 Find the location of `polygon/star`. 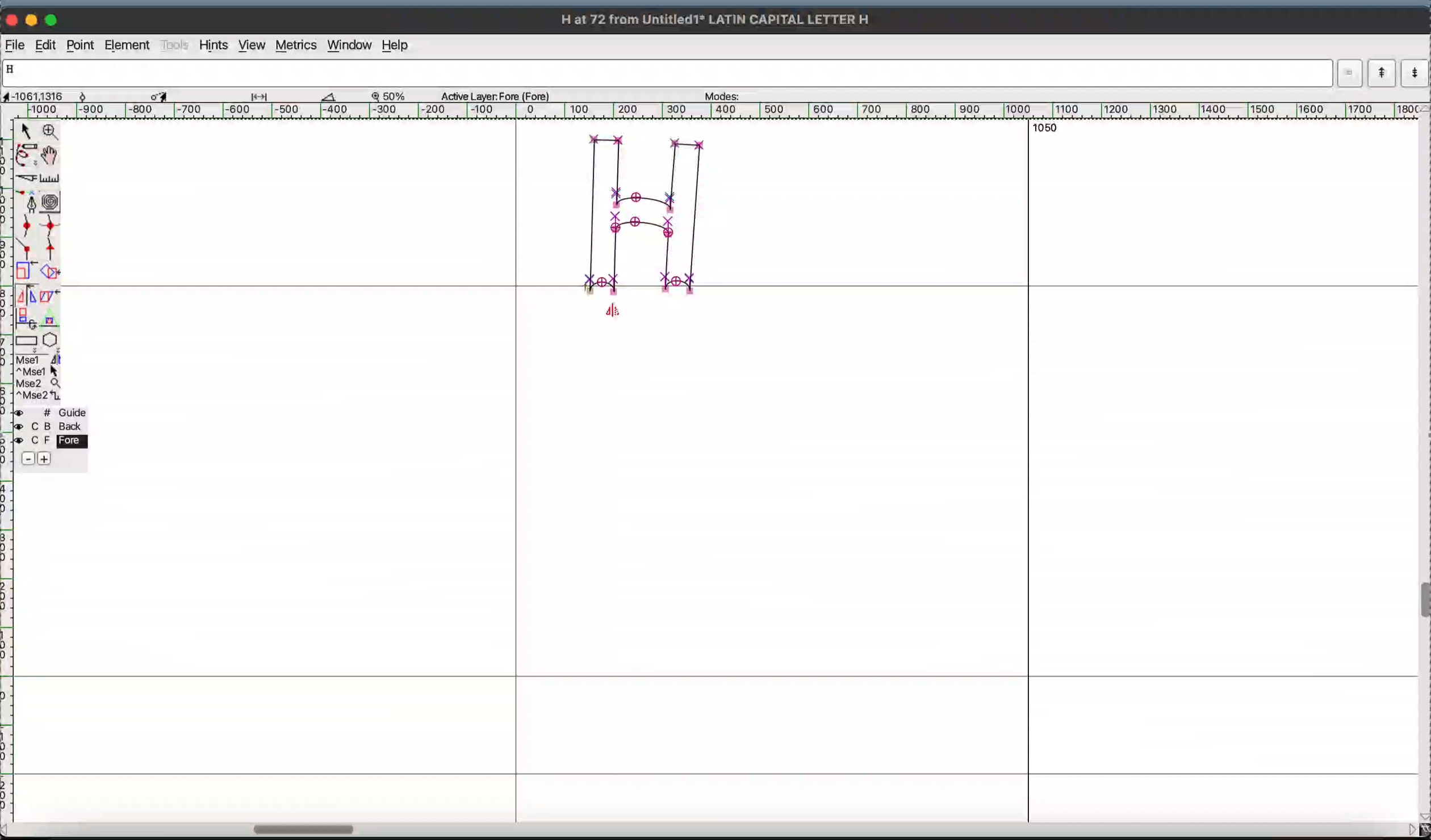

polygon/star is located at coordinates (51, 340).